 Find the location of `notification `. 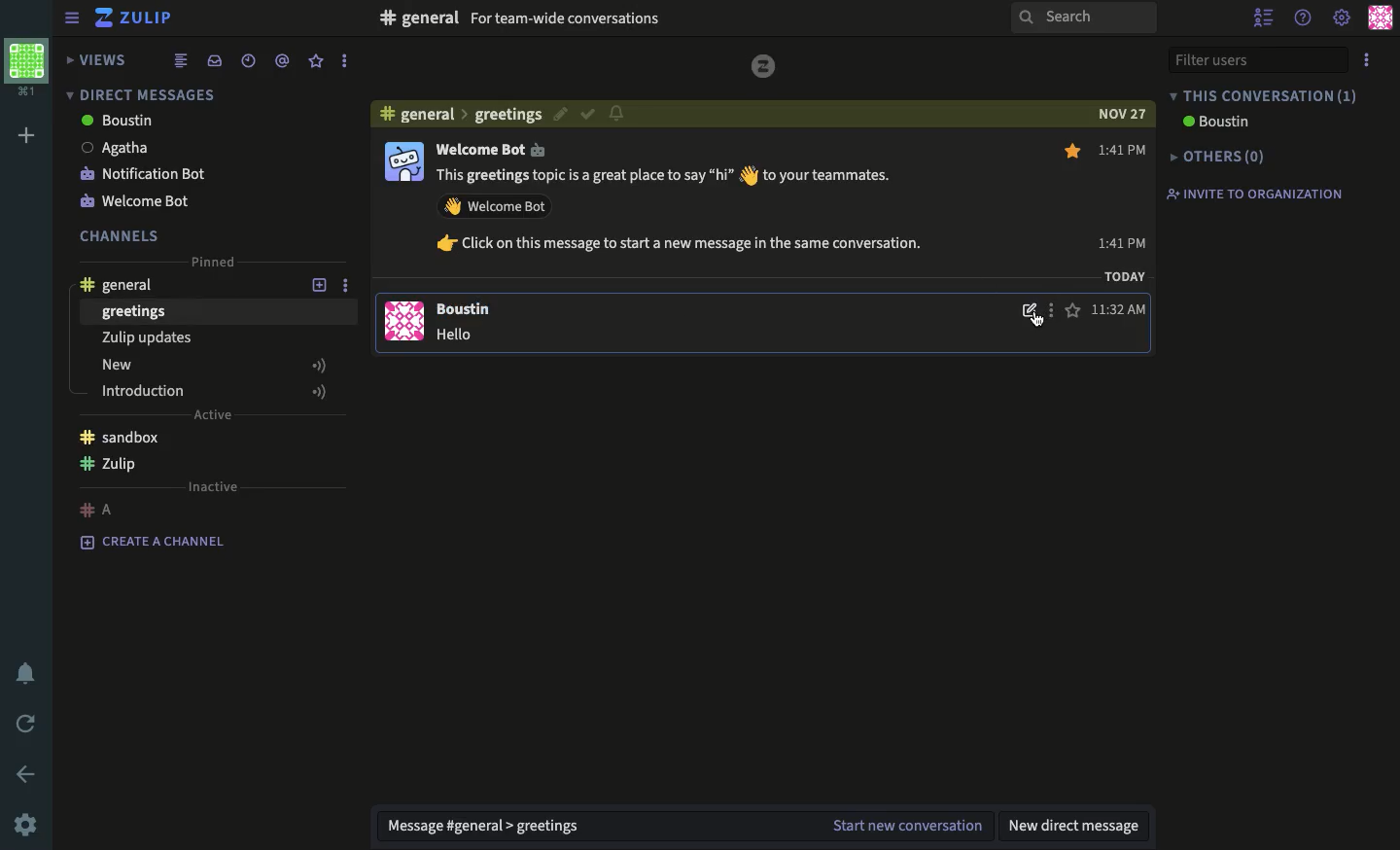

notification  is located at coordinates (618, 115).